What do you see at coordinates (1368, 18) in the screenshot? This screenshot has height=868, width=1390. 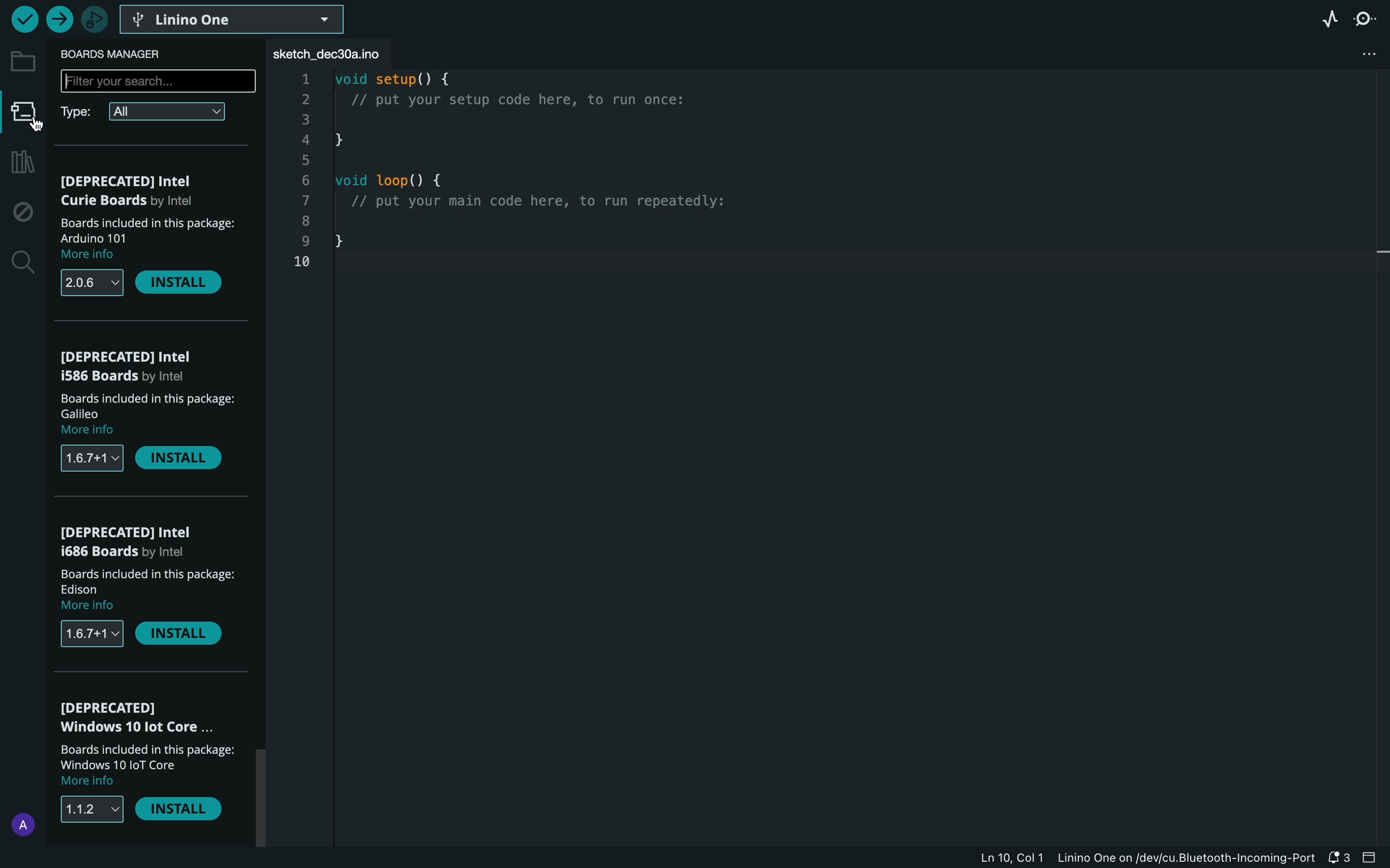 I see `serial monitor` at bounding box center [1368, 18].